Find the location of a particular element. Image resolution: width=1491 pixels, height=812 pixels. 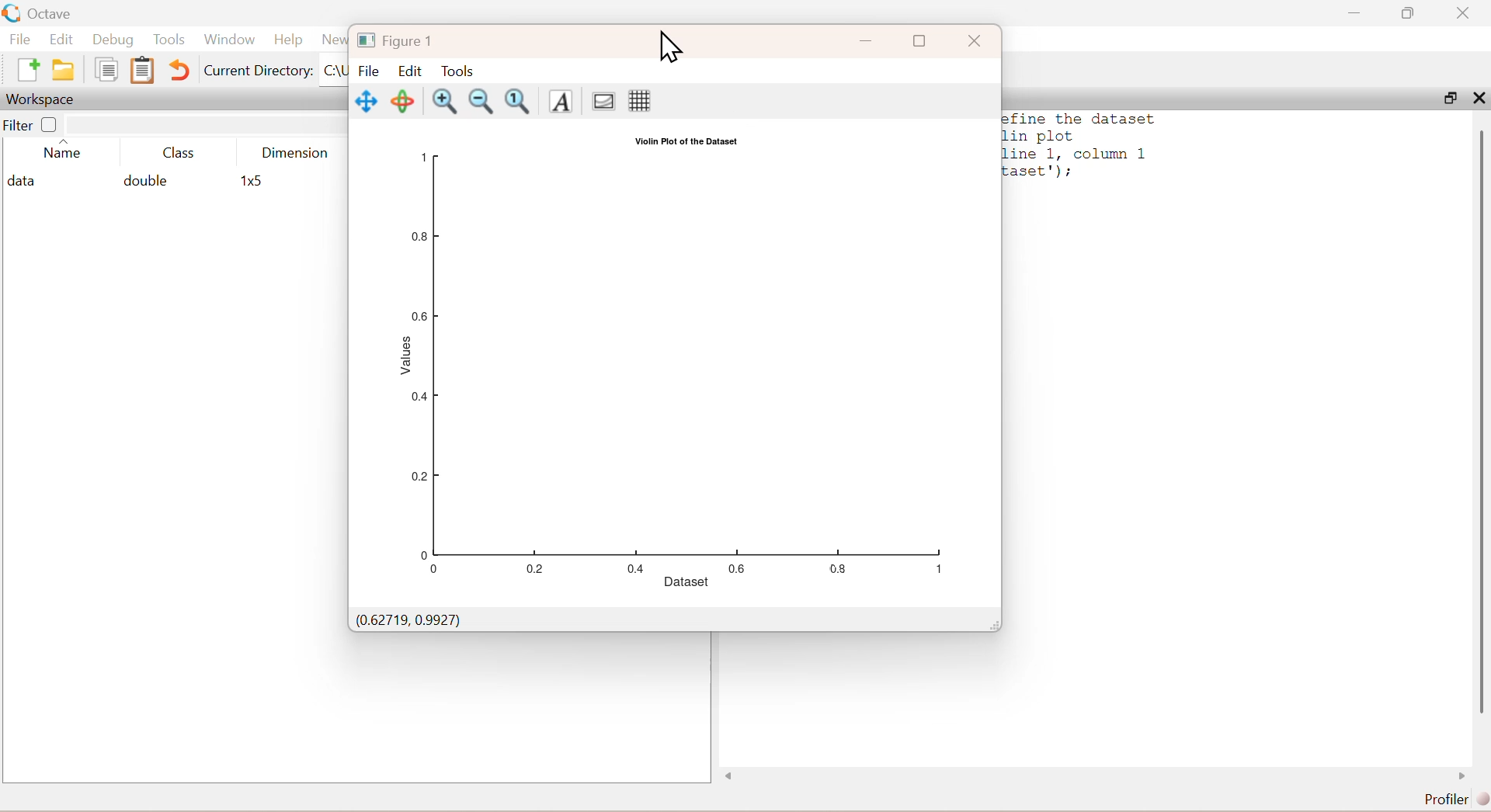

double is located at coordinates (144, 180).